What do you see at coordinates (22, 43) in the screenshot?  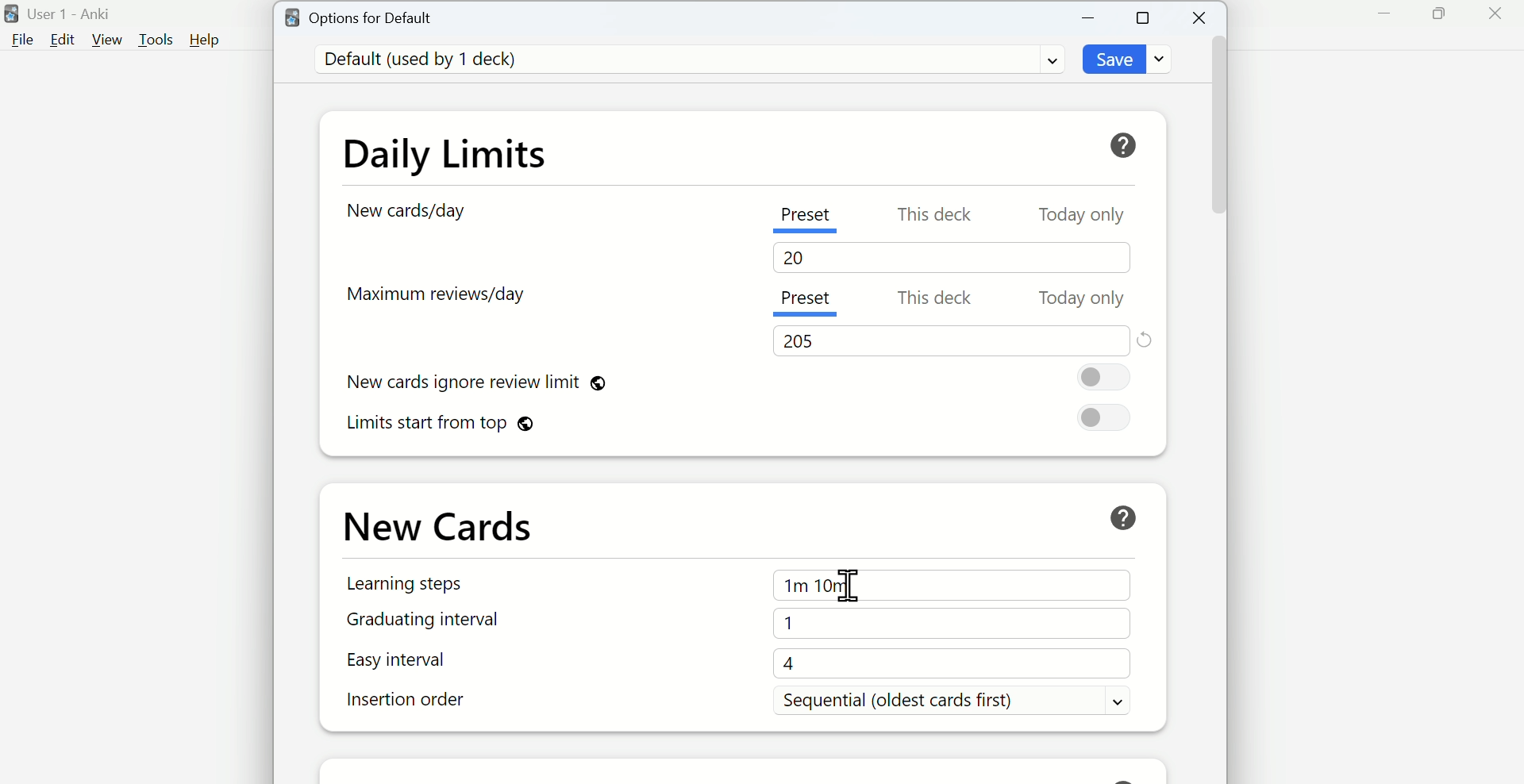 I see `File` at bounding box center [22, 43].